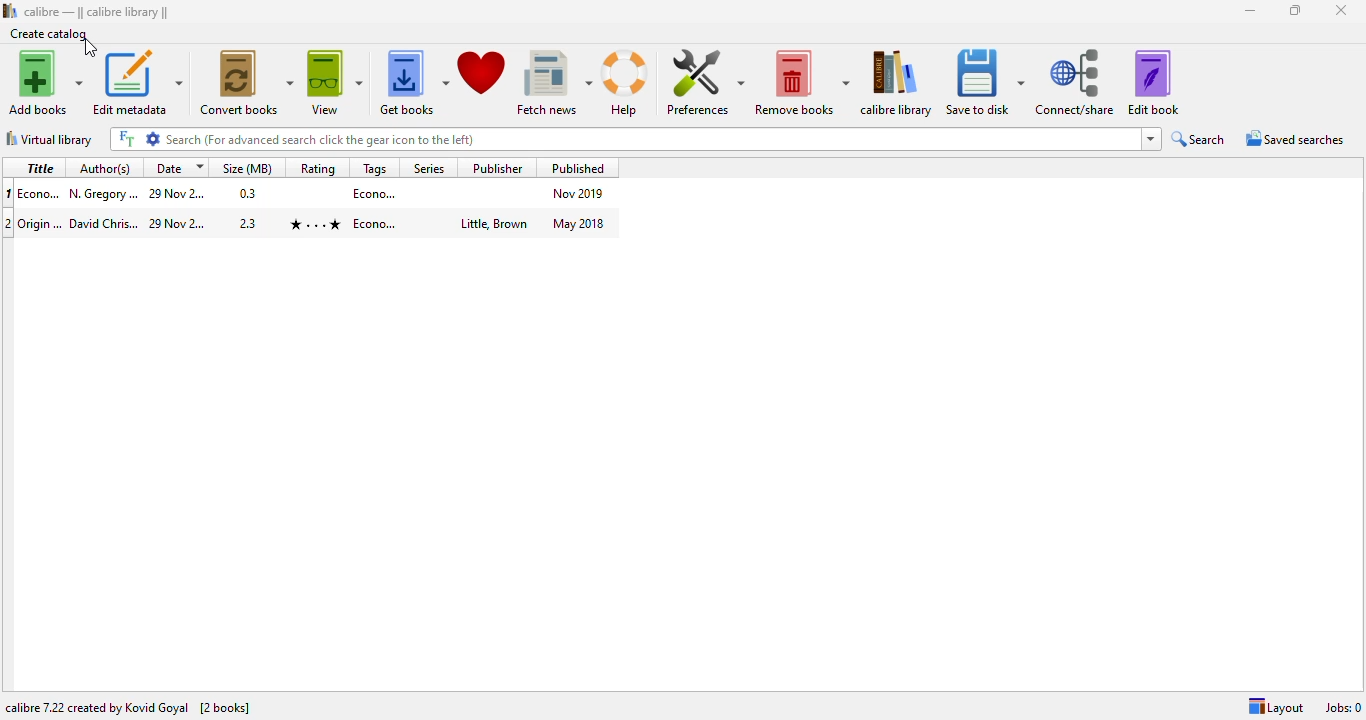  What do you see at coordinates (90, 47) in the screenshot?
I see `cursor` at bounding box center [90, 47].